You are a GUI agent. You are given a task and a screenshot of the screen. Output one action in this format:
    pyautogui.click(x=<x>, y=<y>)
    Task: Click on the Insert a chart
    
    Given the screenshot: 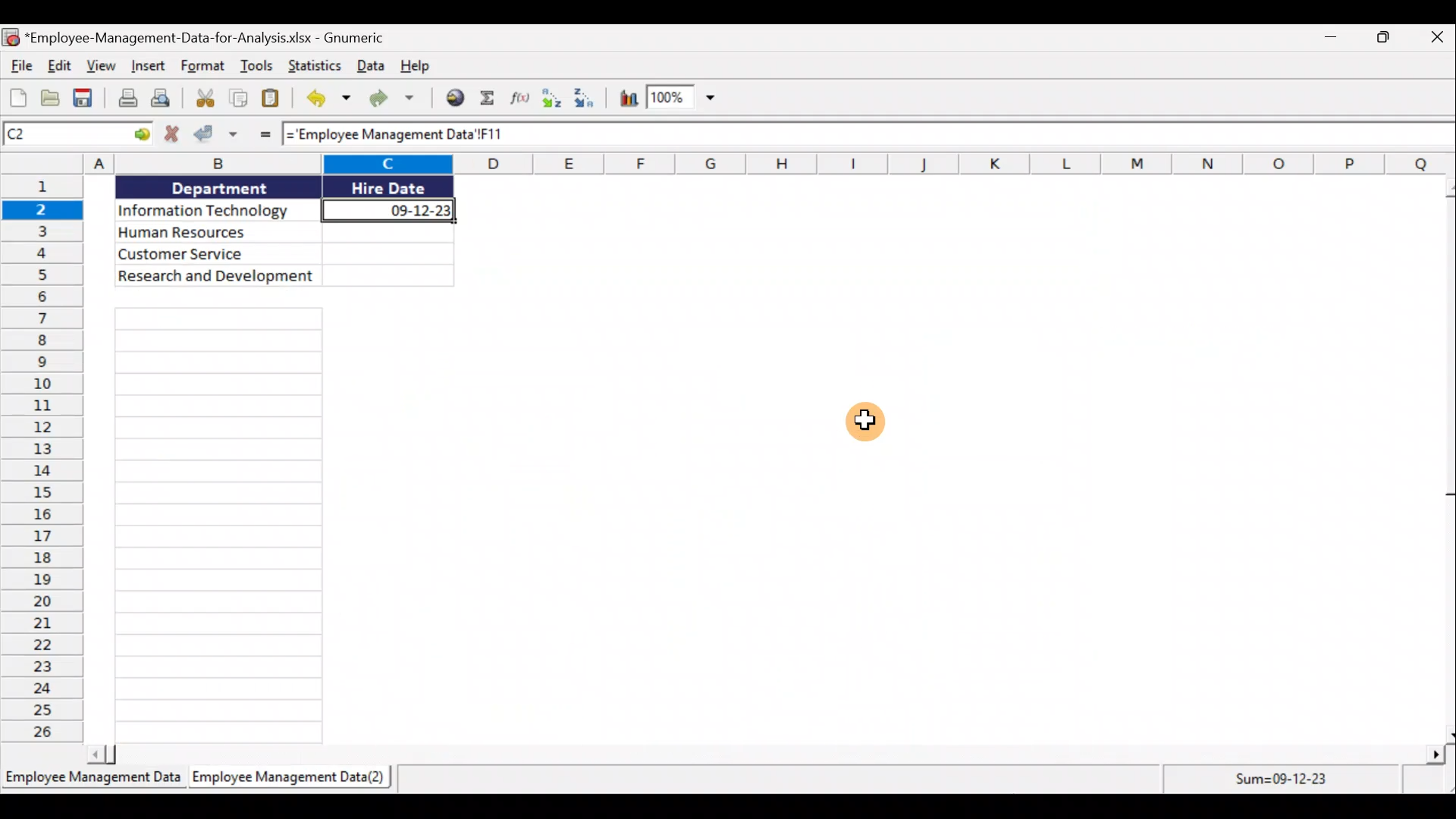 What is the action you would take?
    pyautogui.click(x=629, y=98)
    